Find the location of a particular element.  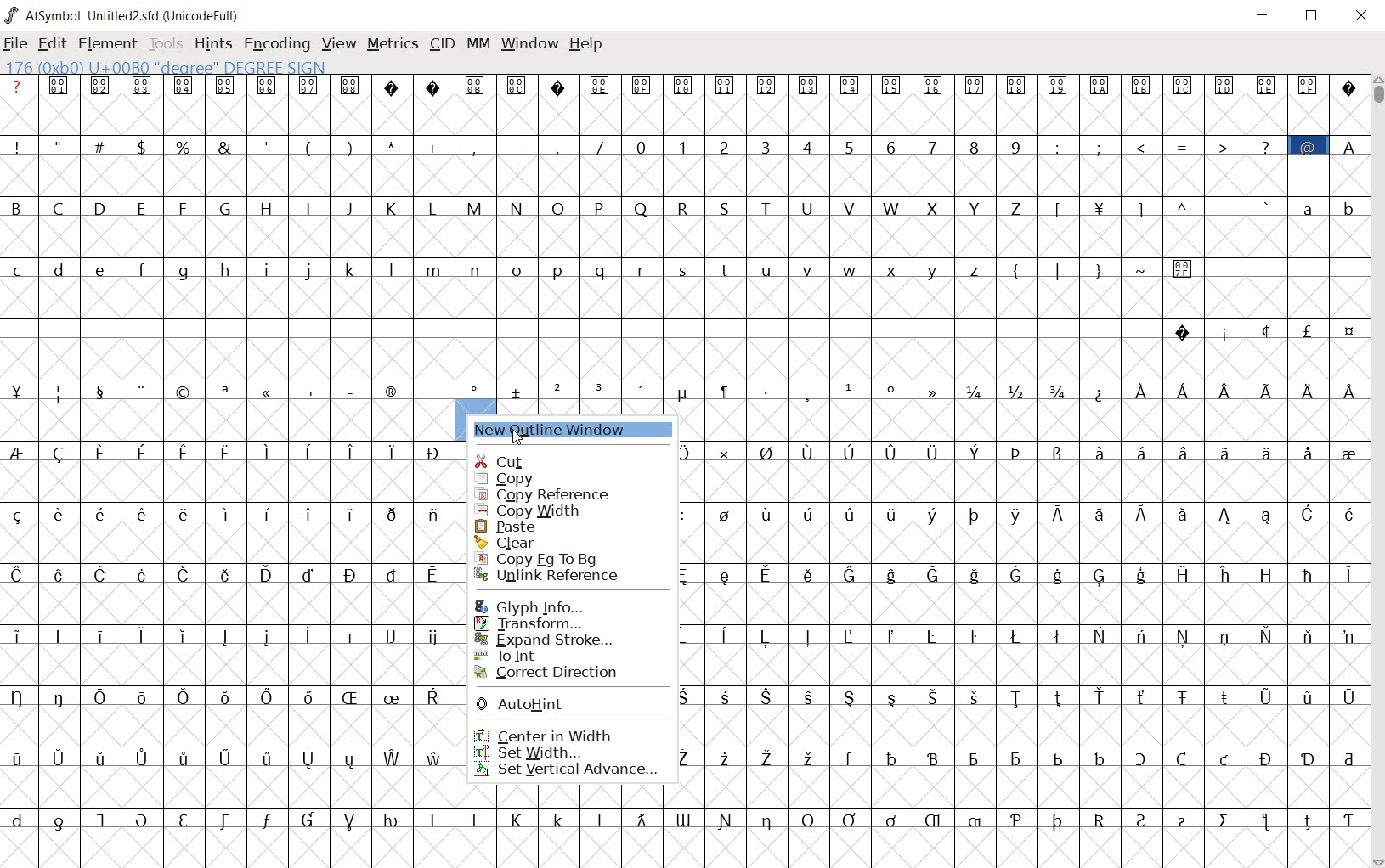

small letters a b is located at coordinates (1329, 207).